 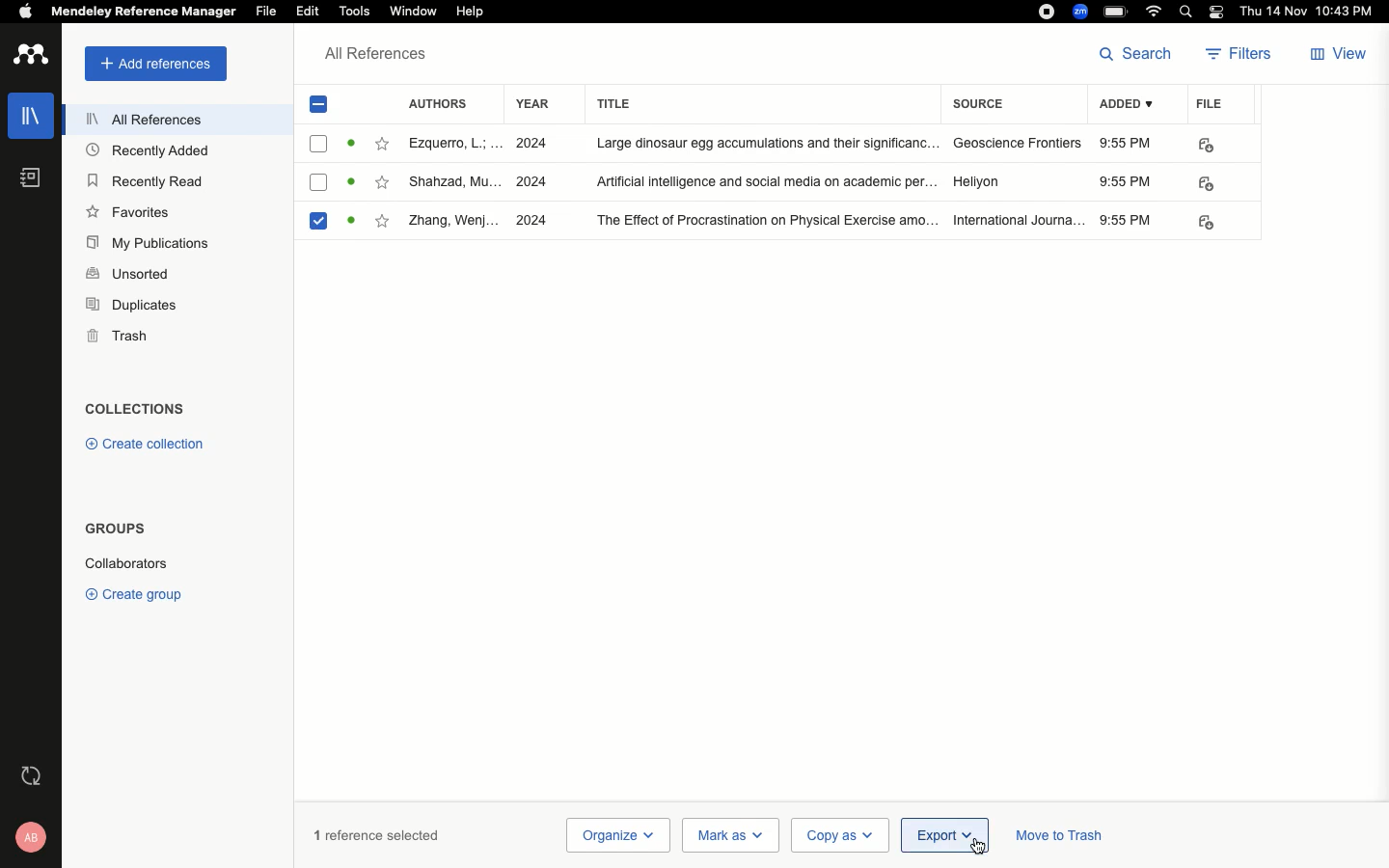 What do you see at coordinates (978, 179) in the screenshot?
I see `Hellyon` at bounding box center [978, 179].